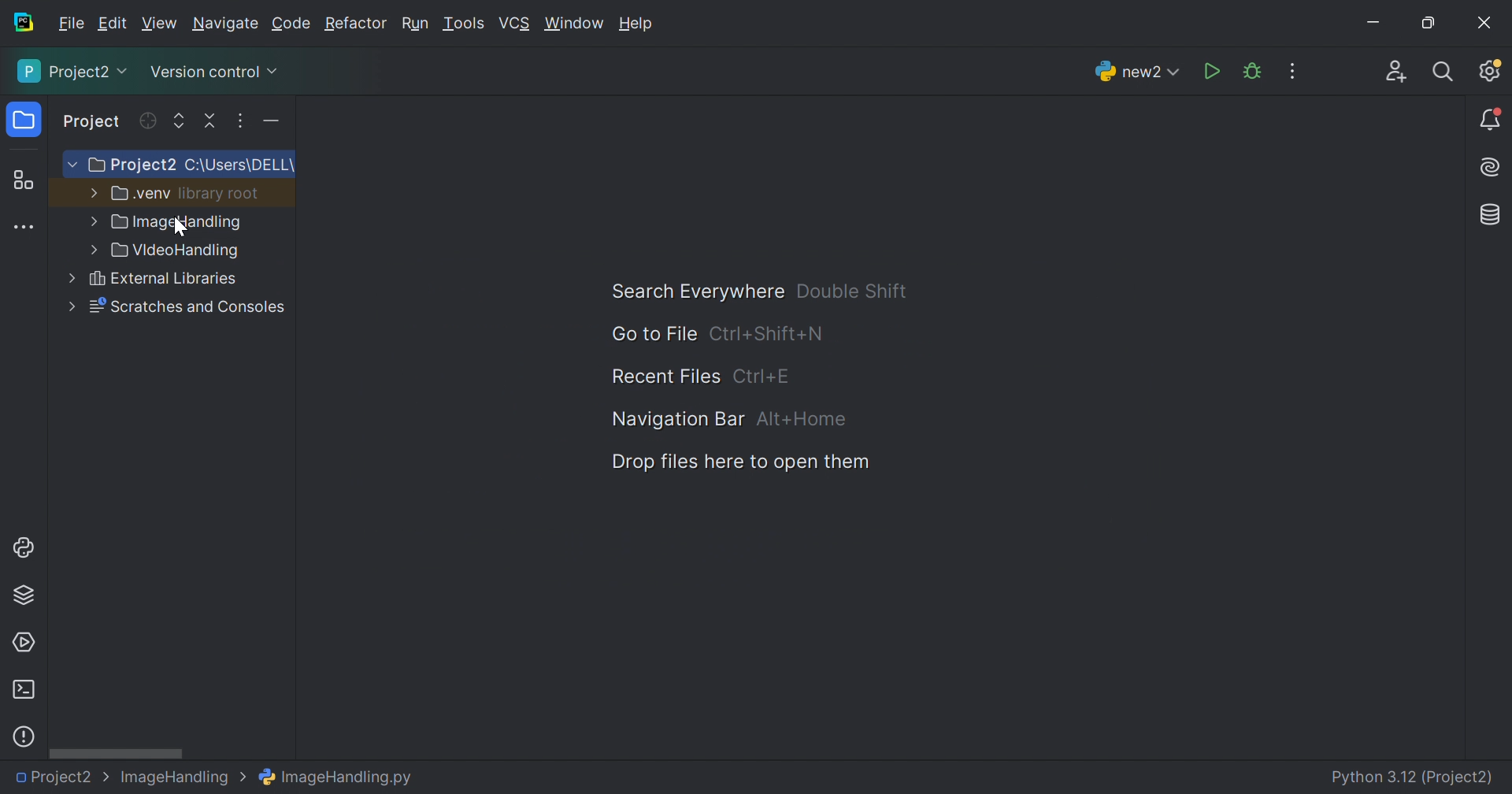  Describe the element at coordinates (802, 420) in the screenshot. I see `Alt+Home` at that location.